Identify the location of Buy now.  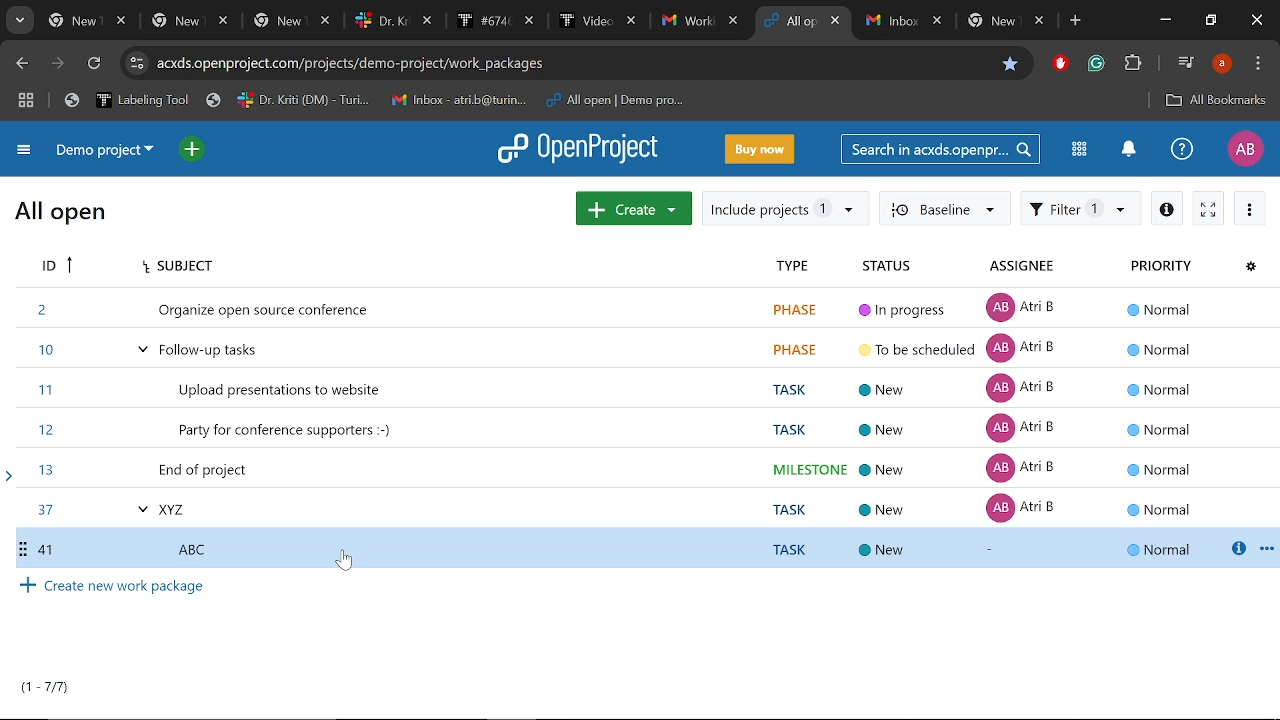
(759, 149).